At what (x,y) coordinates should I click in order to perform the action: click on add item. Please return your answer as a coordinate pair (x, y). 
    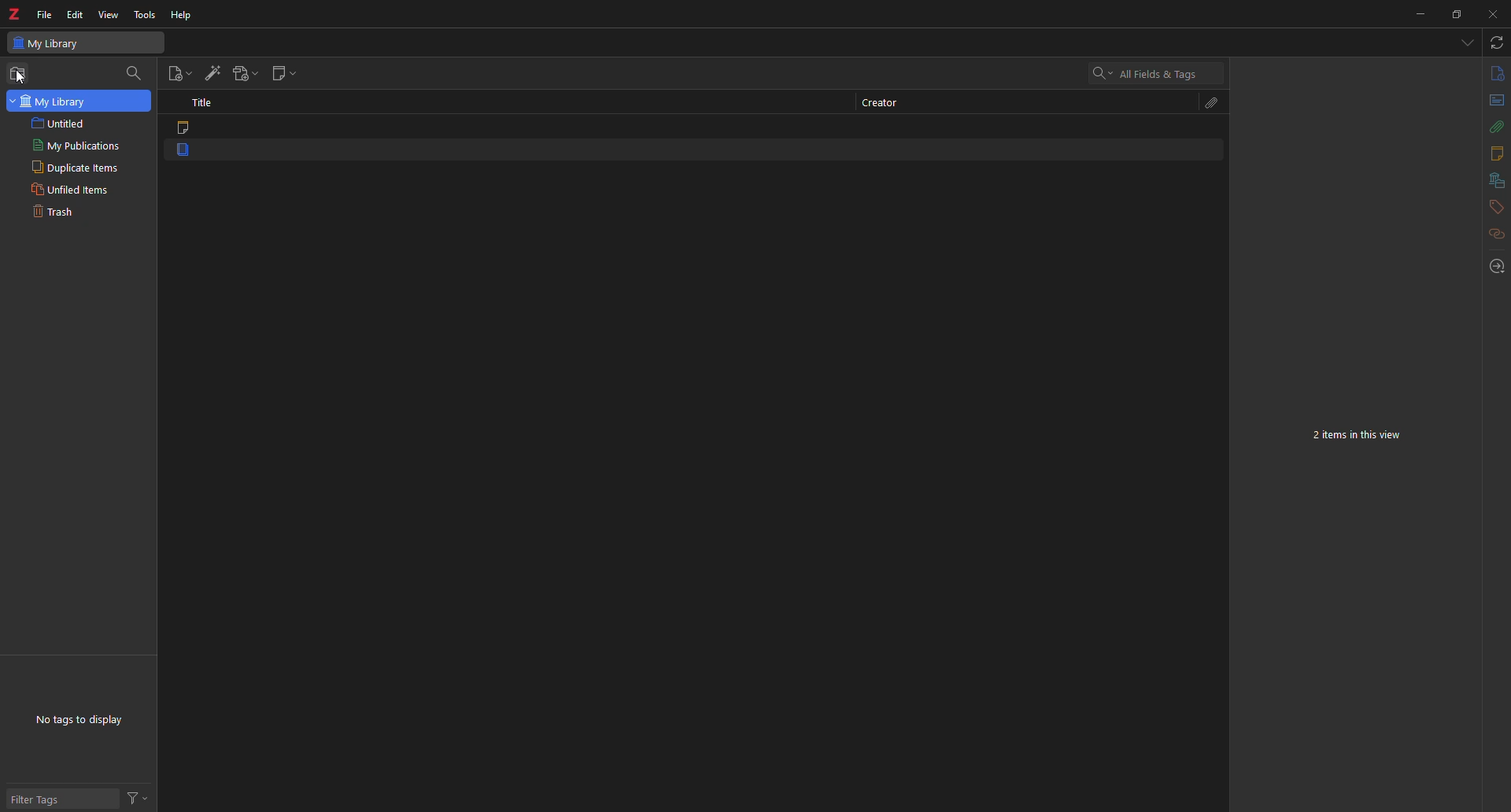
    Looking at the image, I should click on (214, 72).